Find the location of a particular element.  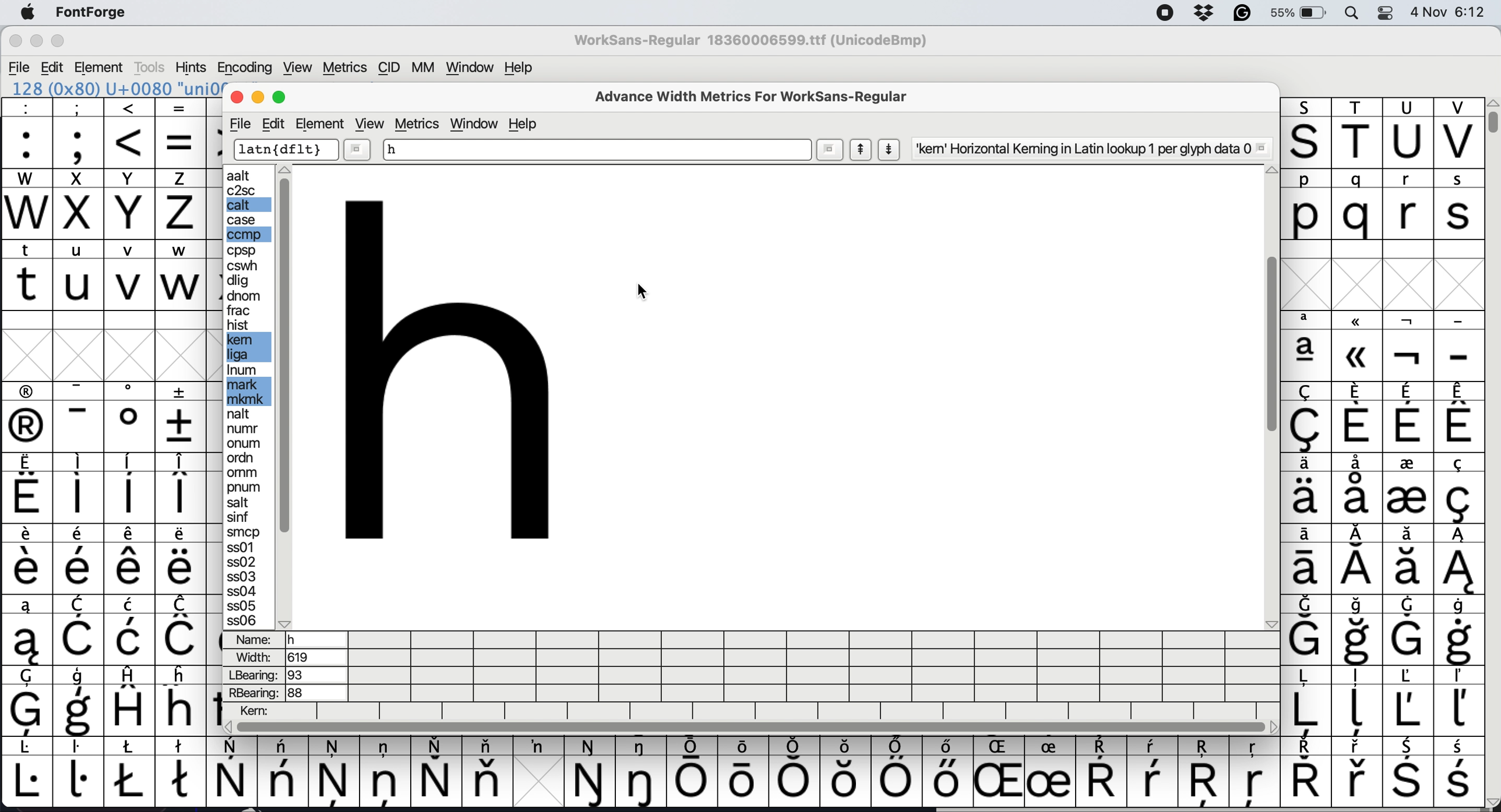

sample letter is located at coordinates (413, 150).